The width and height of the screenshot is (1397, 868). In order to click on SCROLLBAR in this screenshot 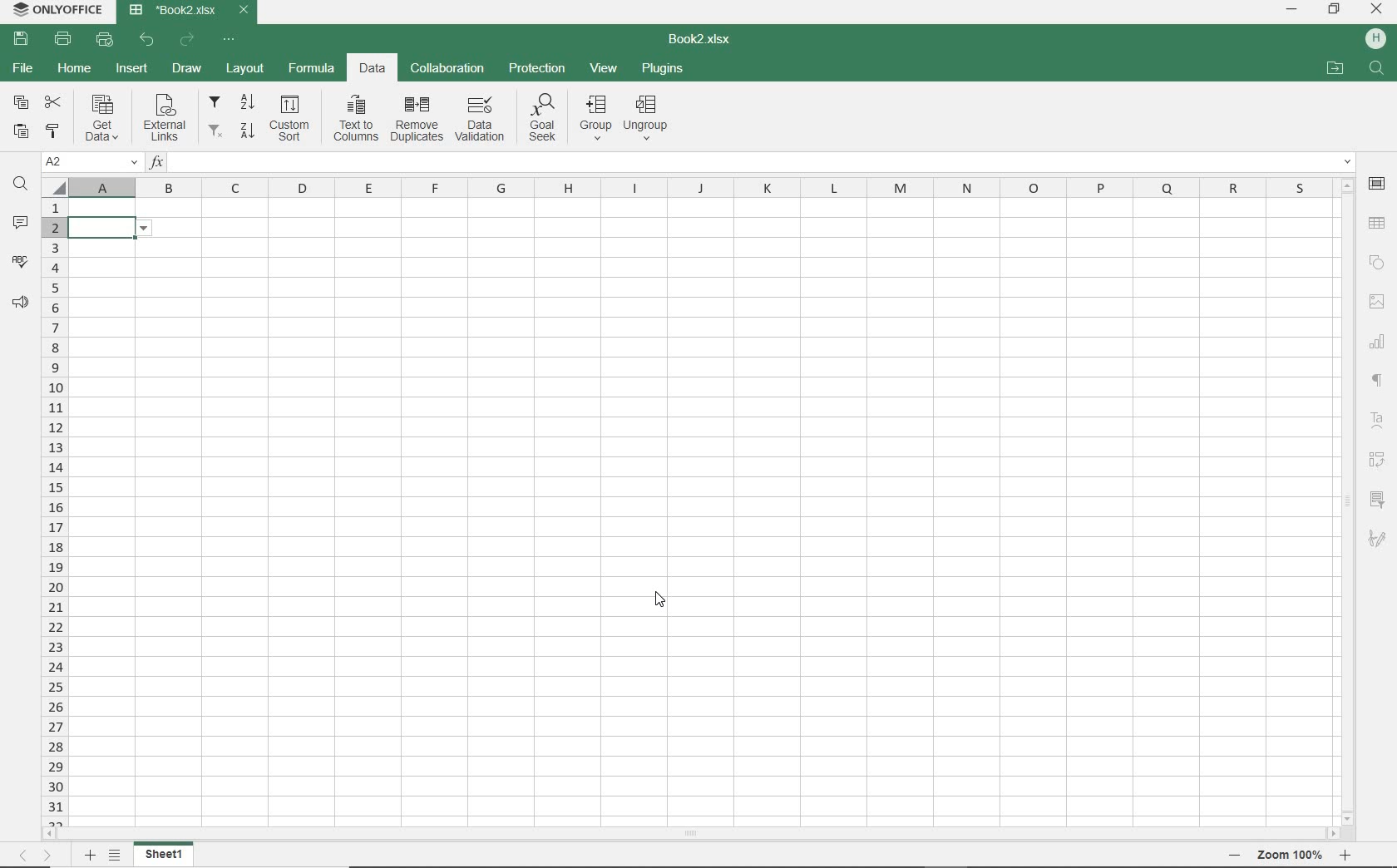, I will do `click(688, 831)`.